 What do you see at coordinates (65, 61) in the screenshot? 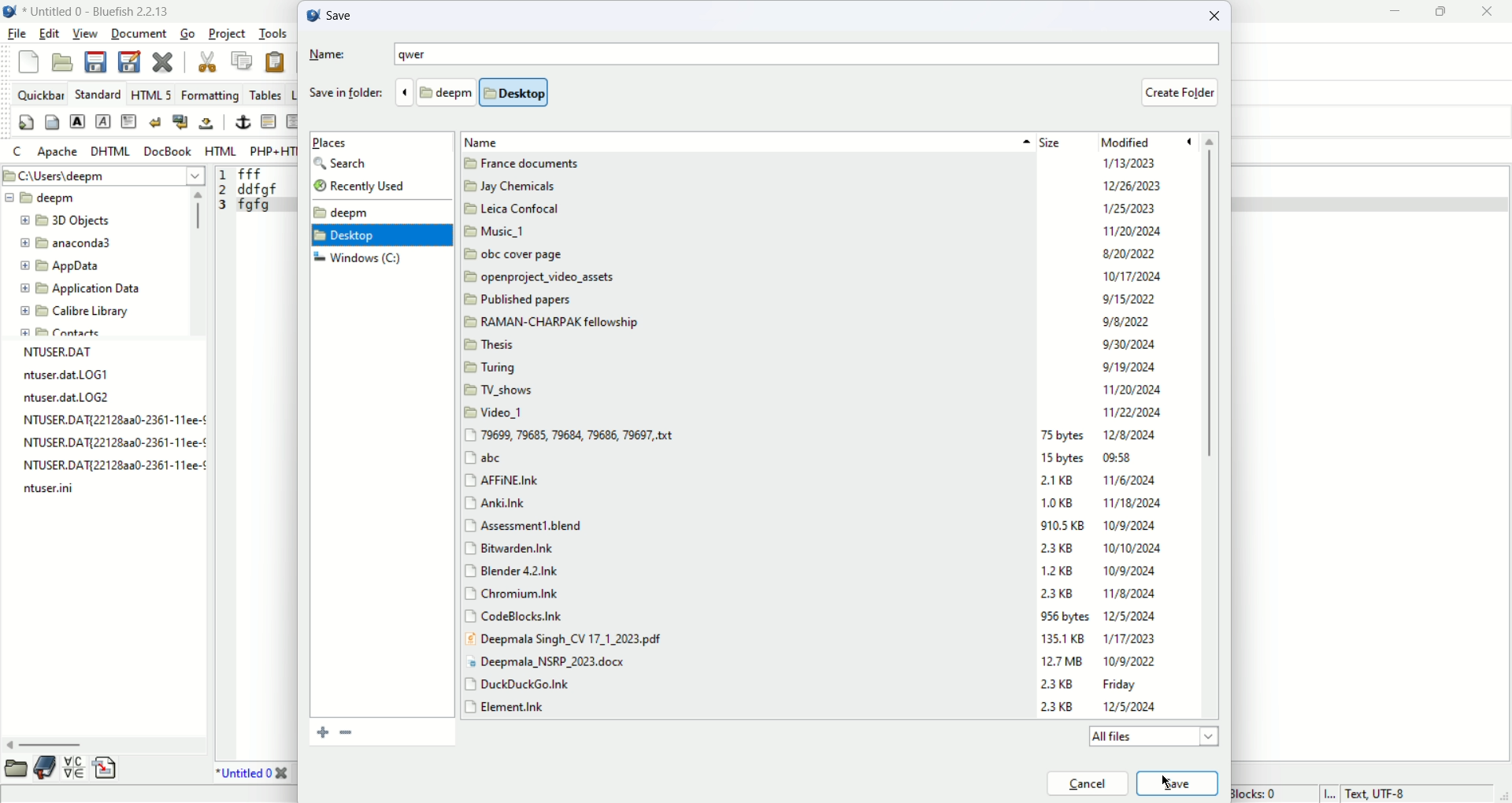
I see `open` at bounding box center [65, 61].